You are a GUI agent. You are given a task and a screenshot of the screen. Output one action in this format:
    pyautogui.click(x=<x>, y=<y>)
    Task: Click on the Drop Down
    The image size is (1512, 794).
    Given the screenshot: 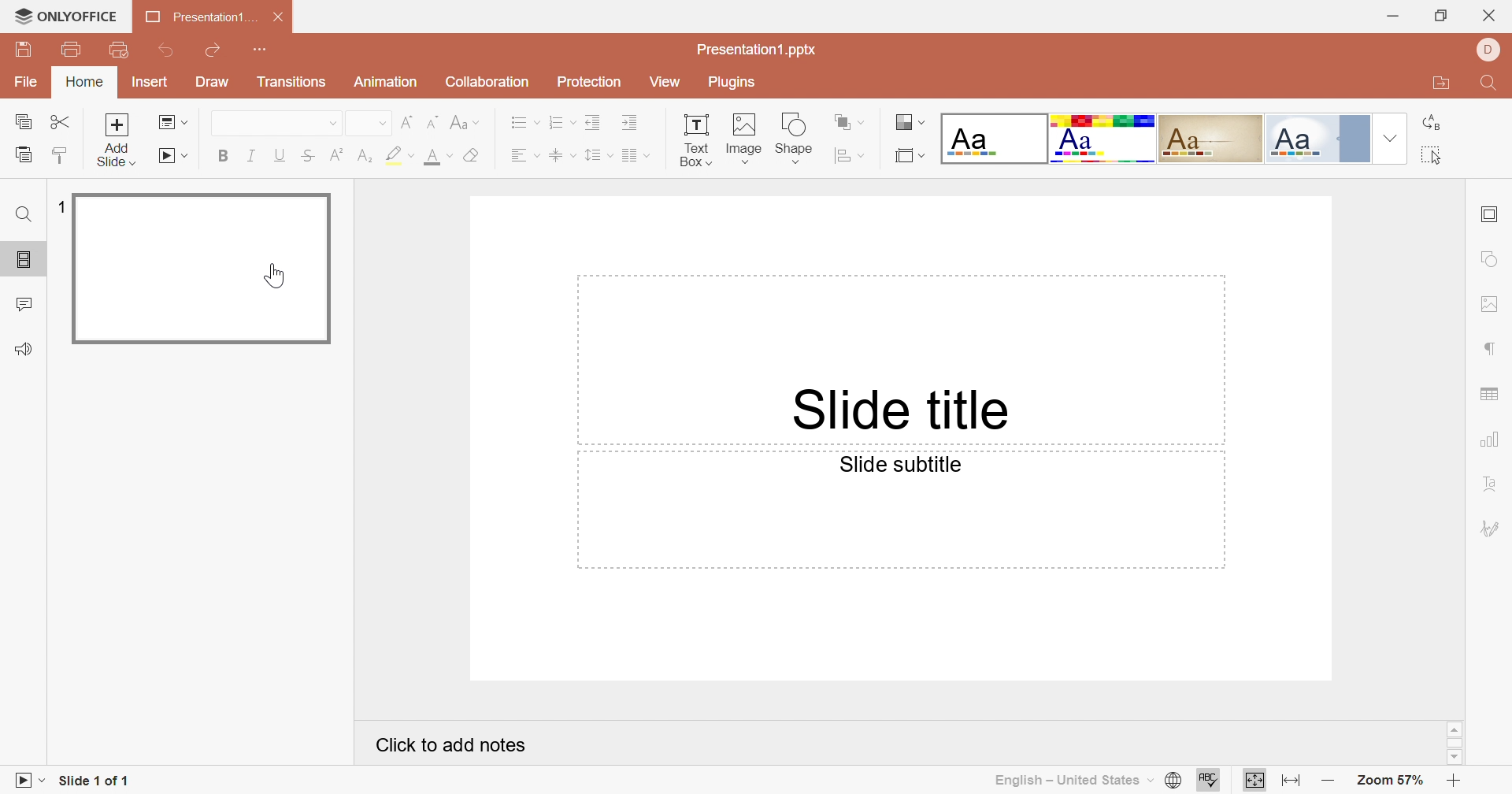 What is the action you would take?
    pyautogui.click(x=450, y=155)
    